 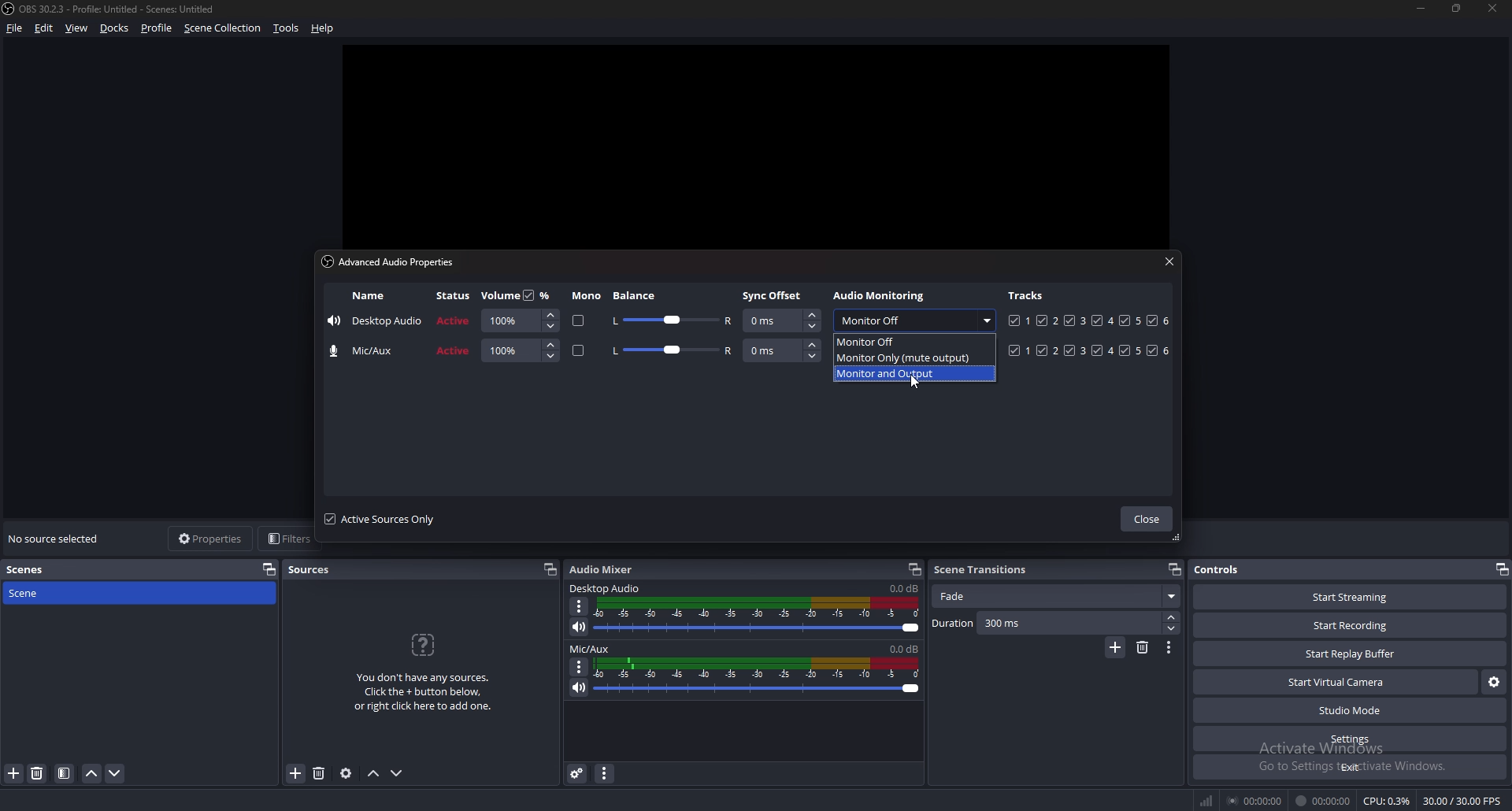 I want to click on tracks, so click(x=1028, y=295).